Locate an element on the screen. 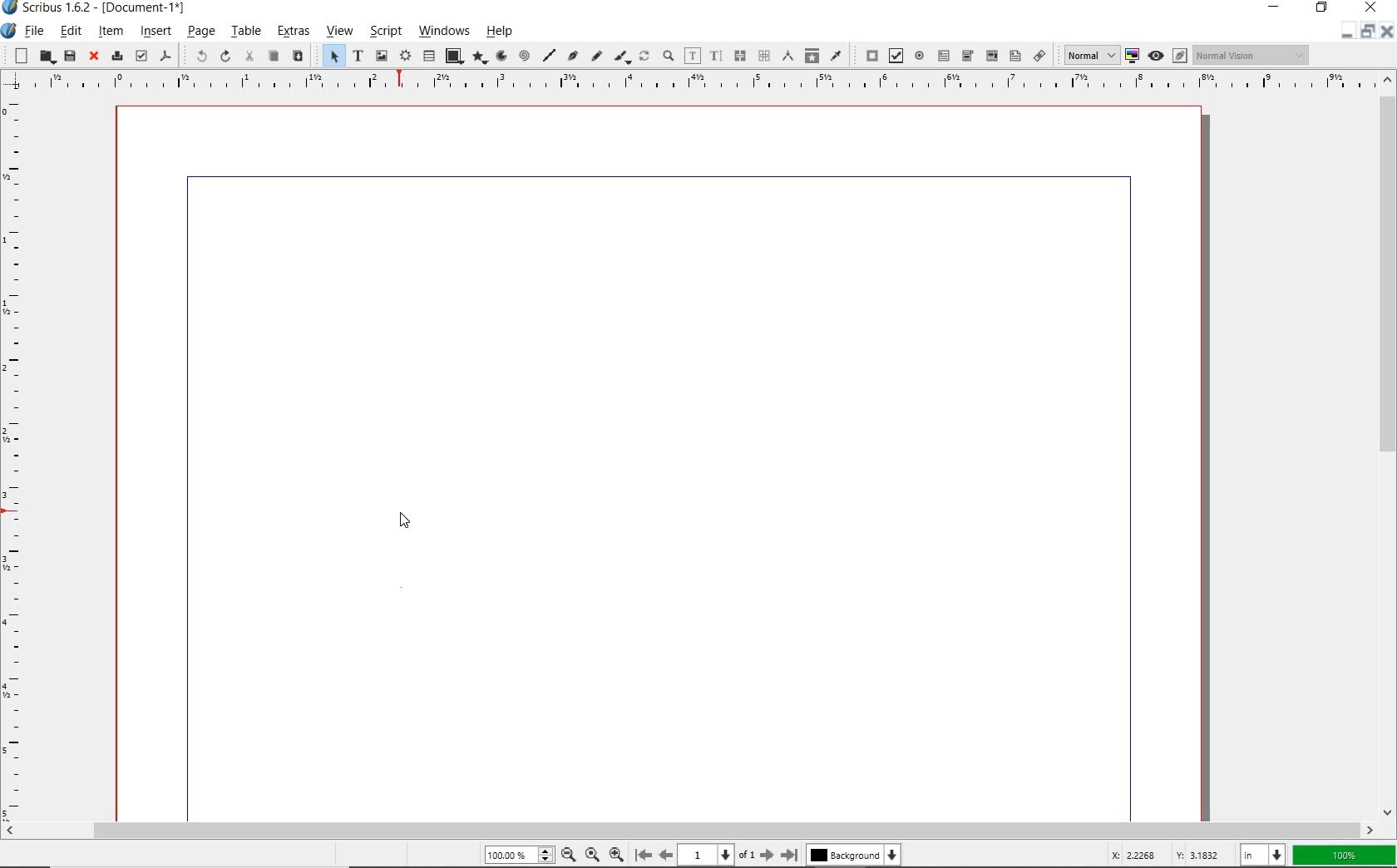 The image size is (1397, 868). Text annotation is located at coordinates (1014, 57).